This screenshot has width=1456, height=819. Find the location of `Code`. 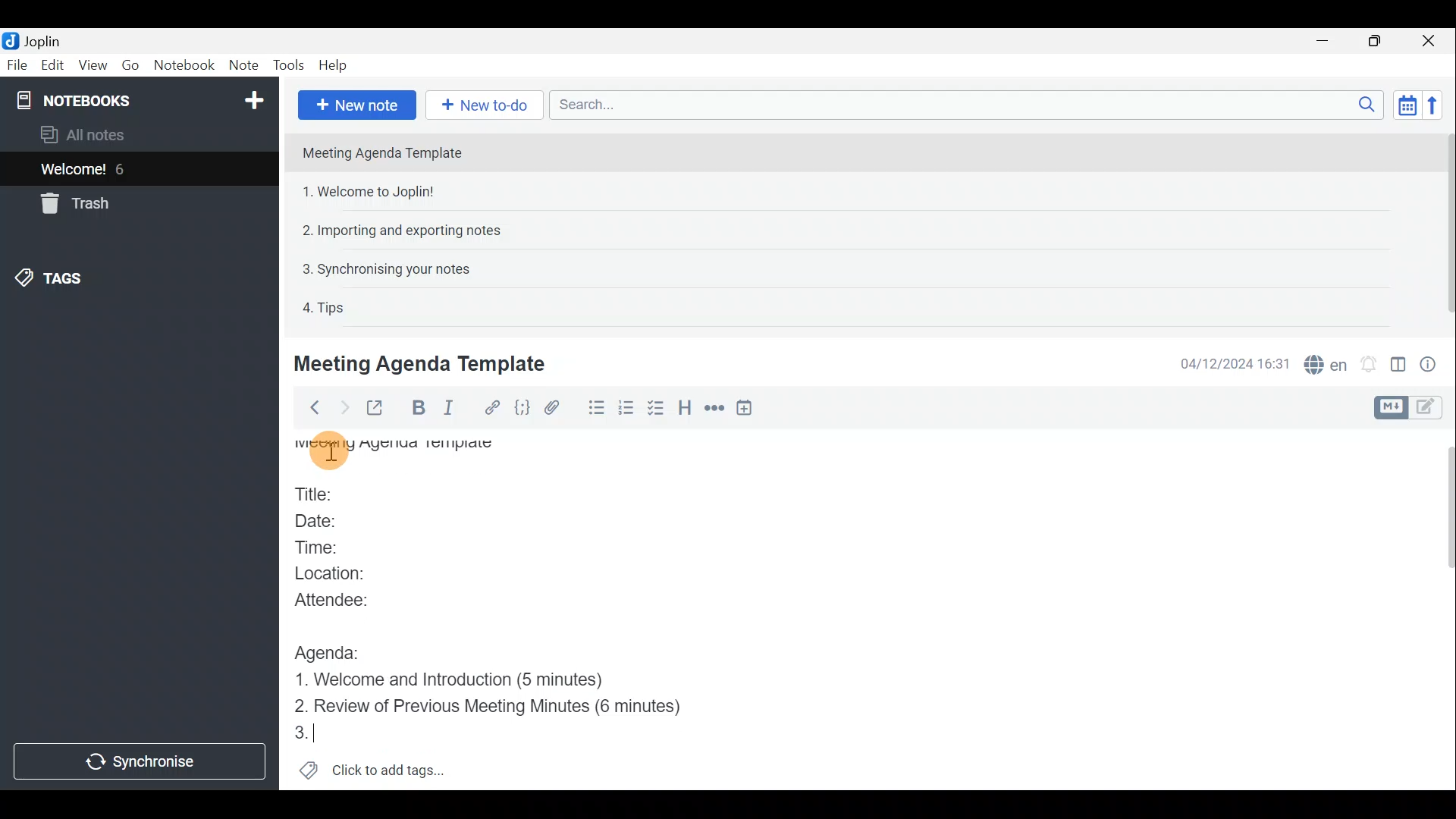

Code is located at coordinates (522, 409).